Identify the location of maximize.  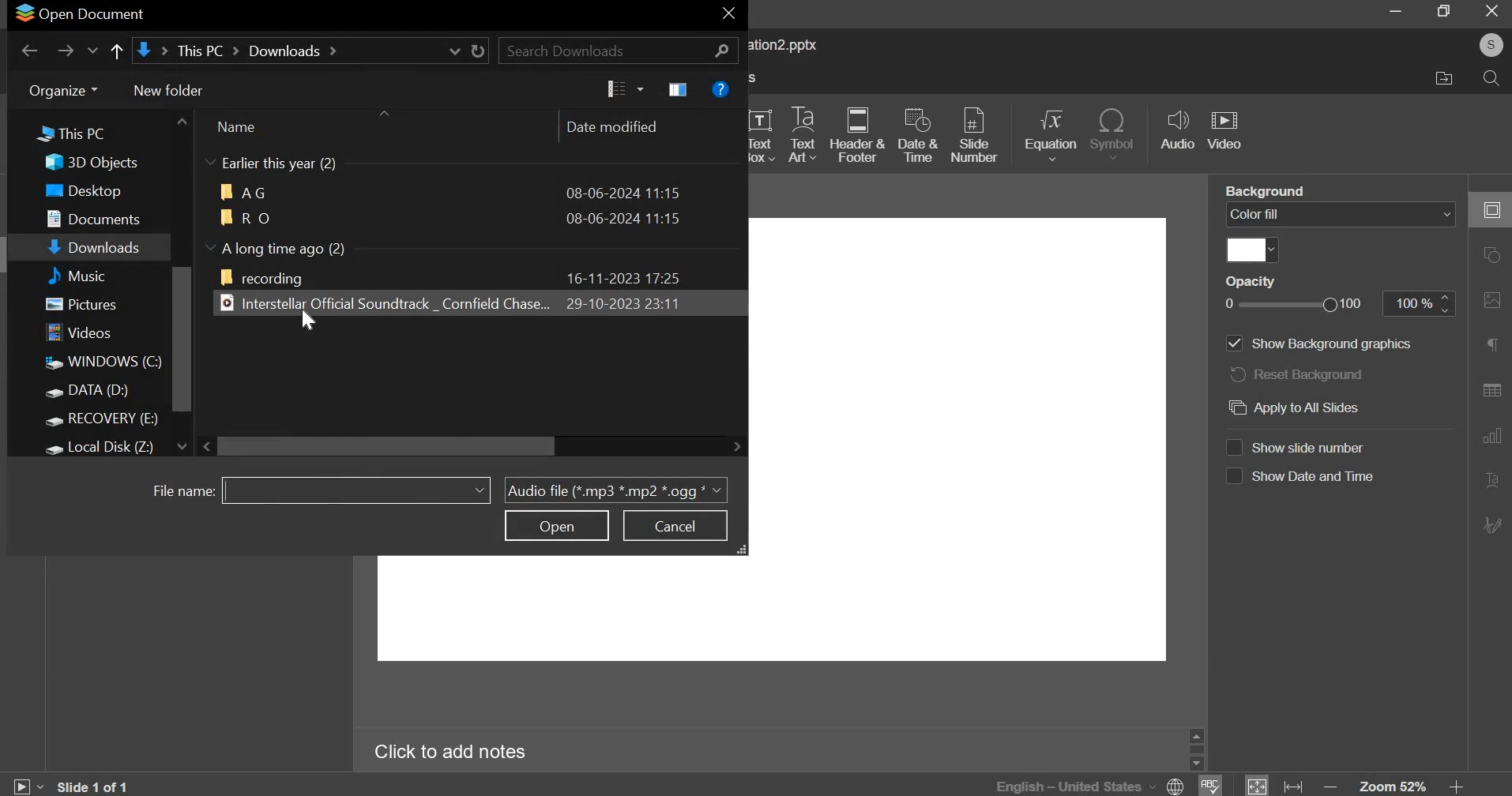
(1442, 12).